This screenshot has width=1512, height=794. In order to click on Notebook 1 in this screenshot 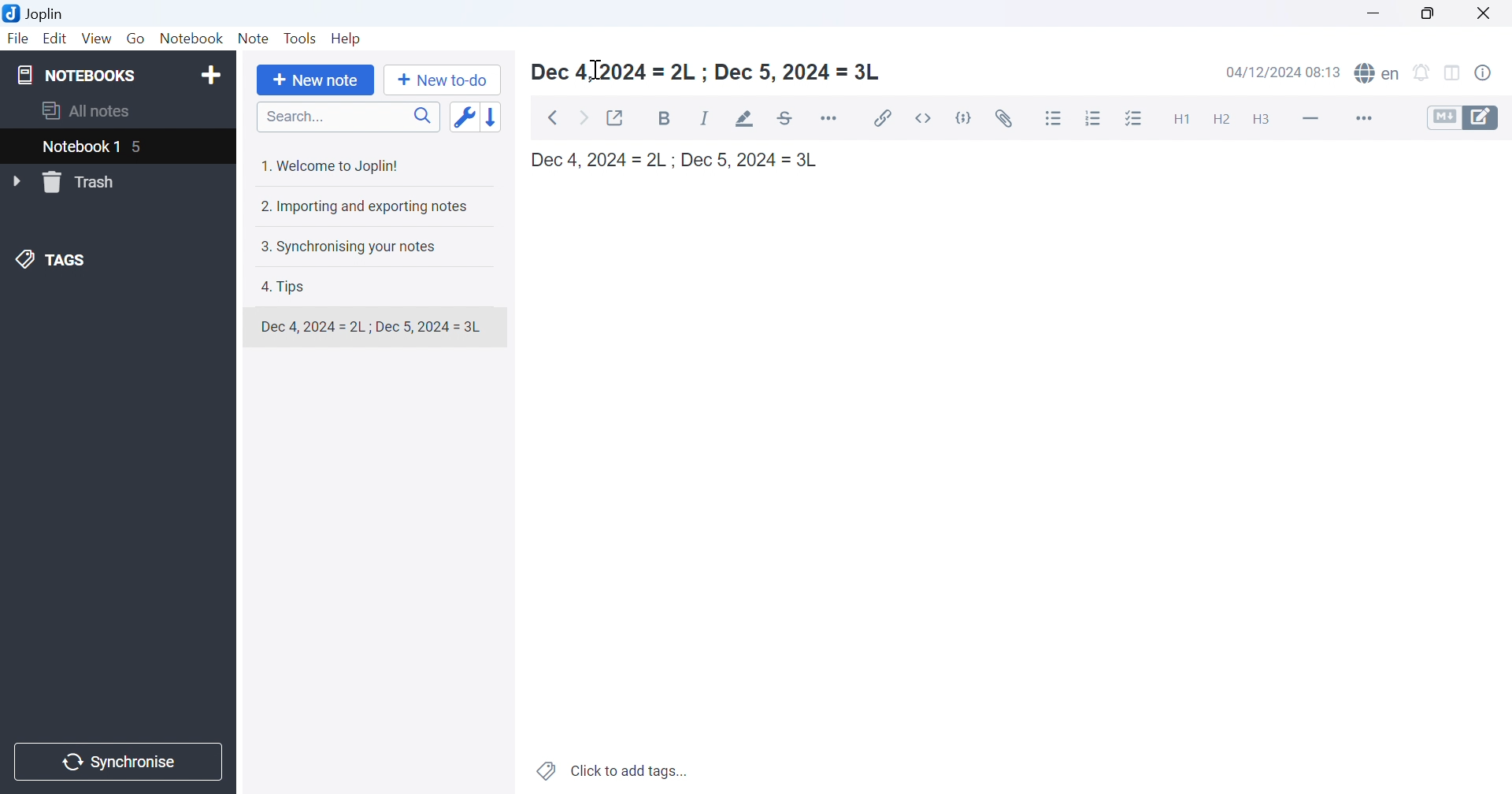, I will do `click(81, 147)`.